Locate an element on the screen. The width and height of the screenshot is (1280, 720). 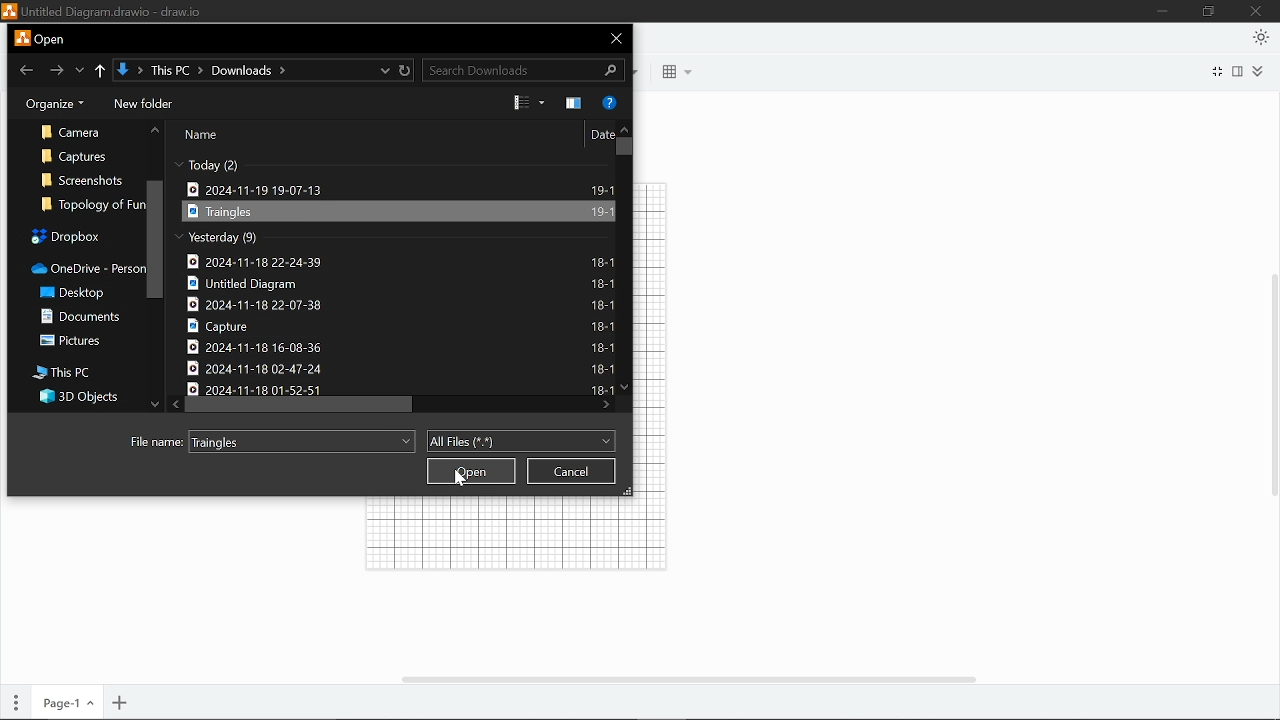
Today (2) is located at coordinates (225, 164).